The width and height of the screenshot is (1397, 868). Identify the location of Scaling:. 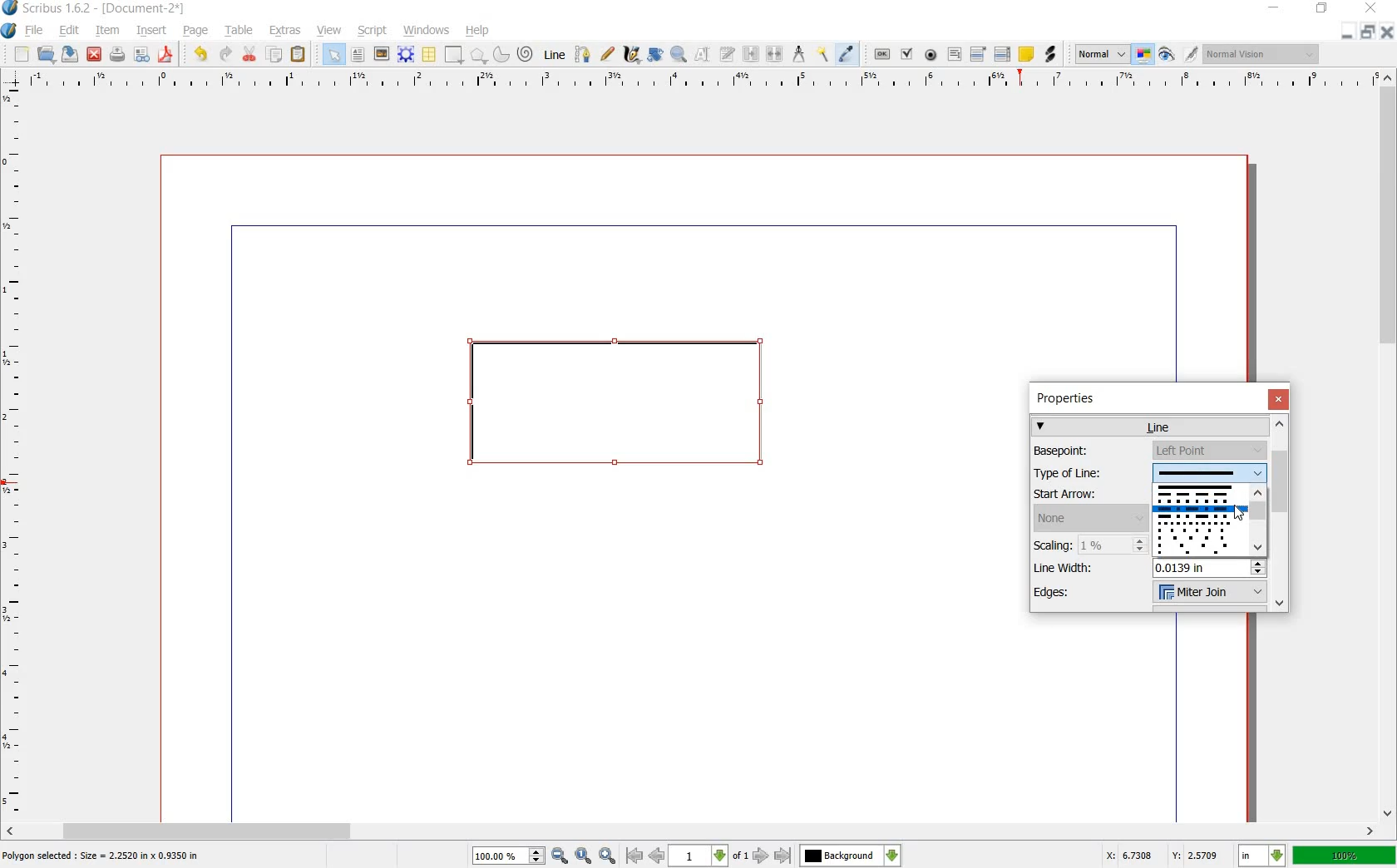
(1054, 545).